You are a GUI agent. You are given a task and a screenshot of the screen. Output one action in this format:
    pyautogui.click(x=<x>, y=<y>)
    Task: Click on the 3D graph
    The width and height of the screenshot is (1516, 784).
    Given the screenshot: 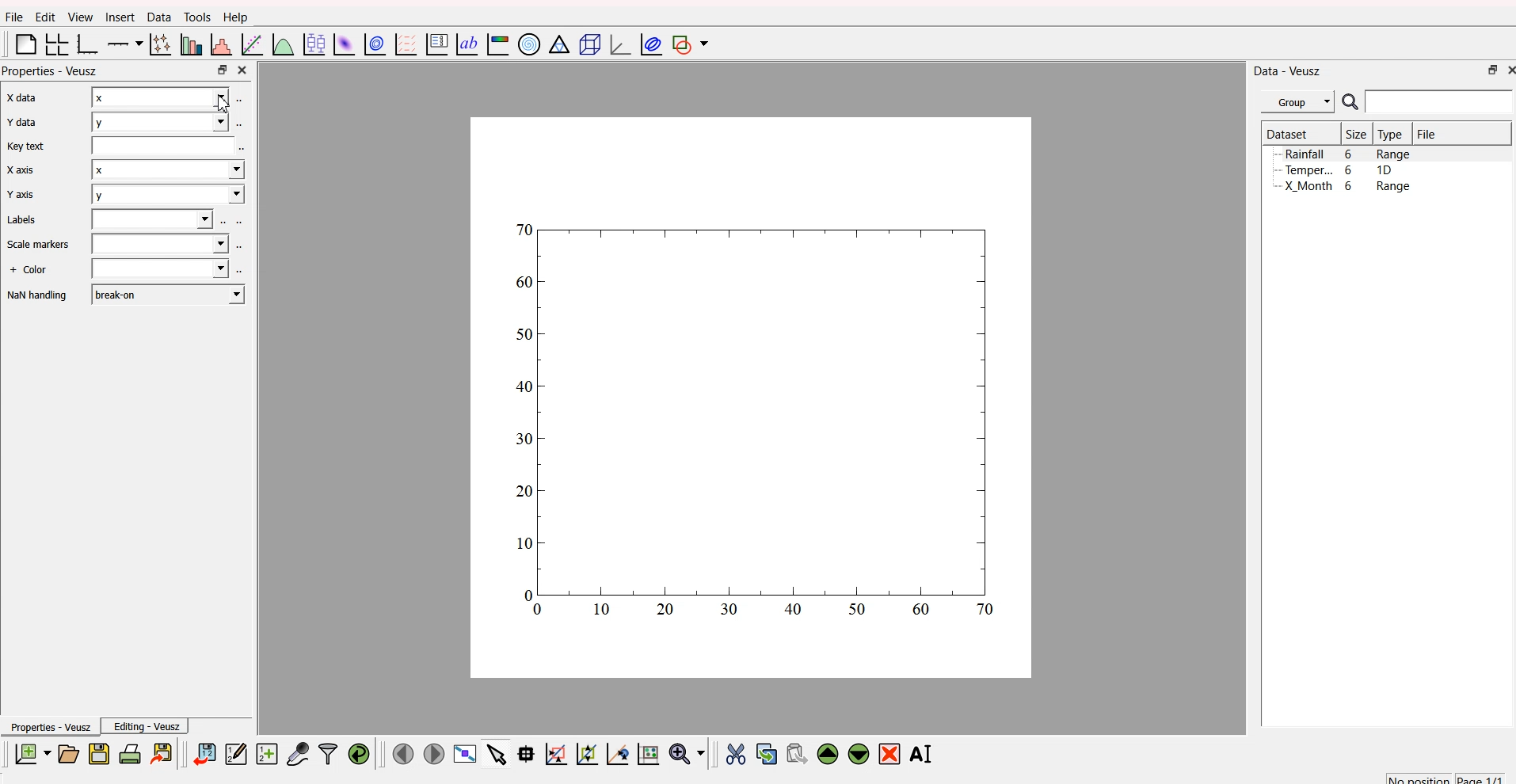 What is the action you would take?
    pyautogui.click(x=615, y=44)
    